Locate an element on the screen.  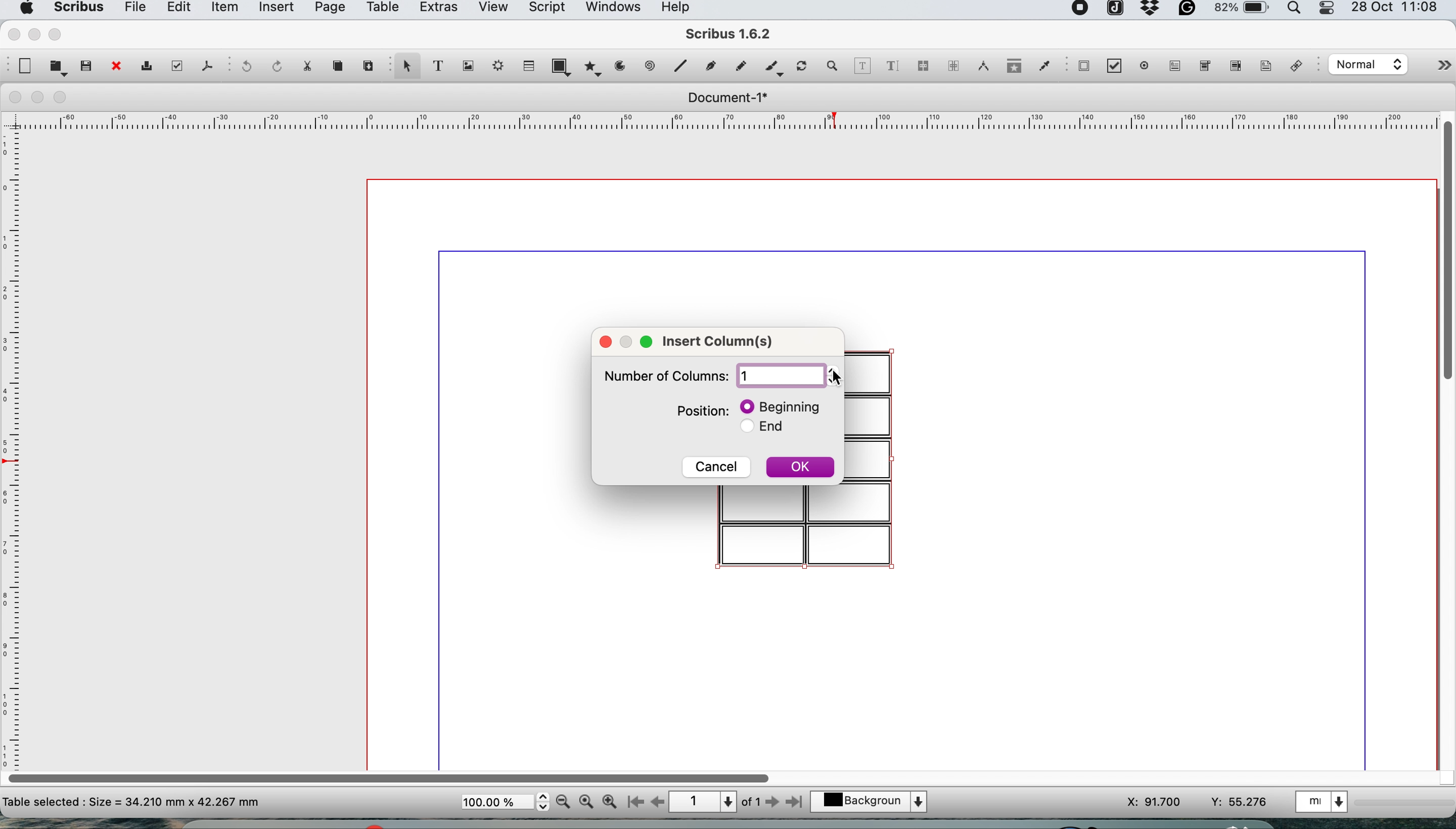
copy item properties is located at coordinates (1011, 69).